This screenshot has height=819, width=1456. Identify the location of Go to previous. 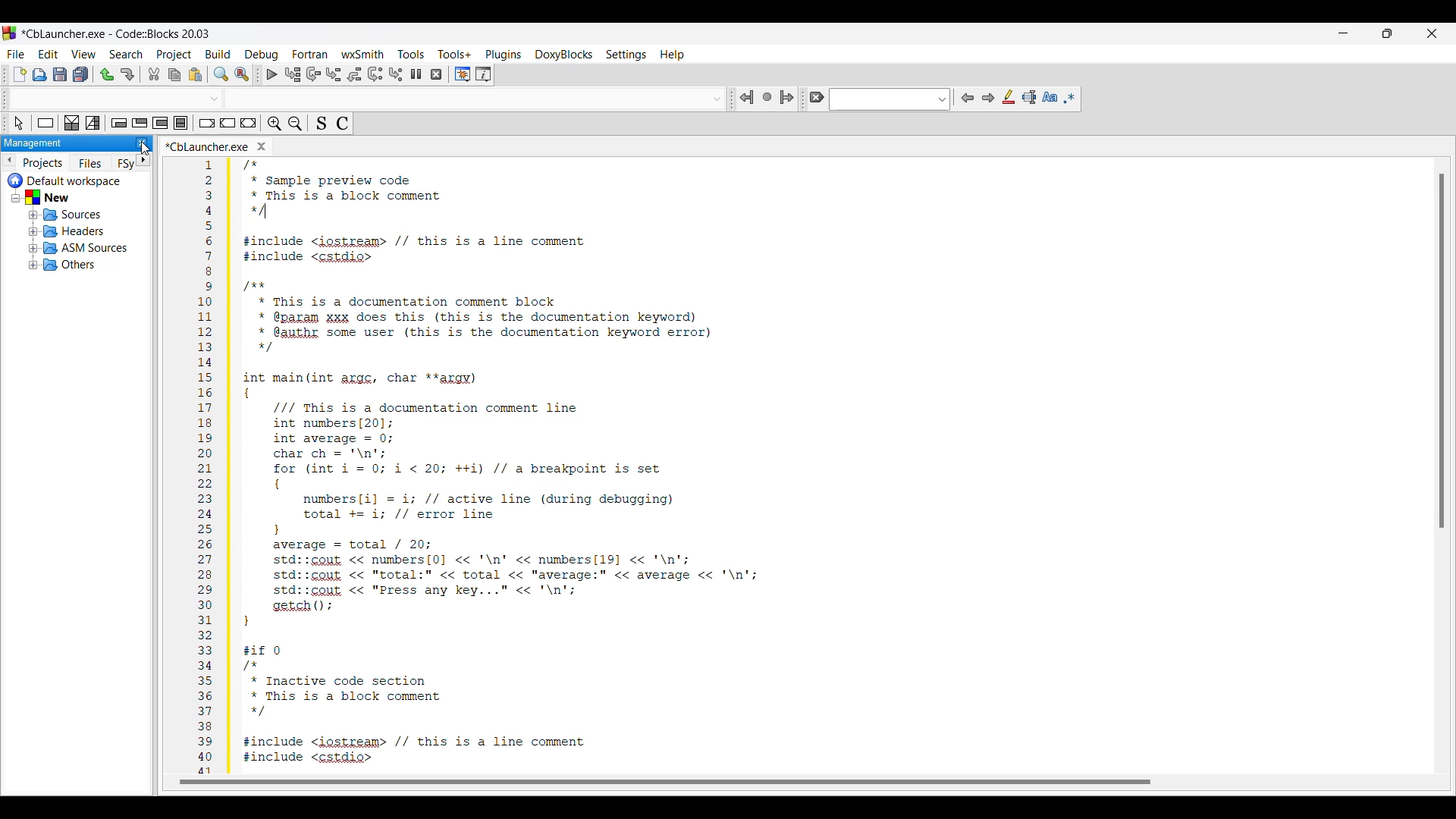
(8, 160).